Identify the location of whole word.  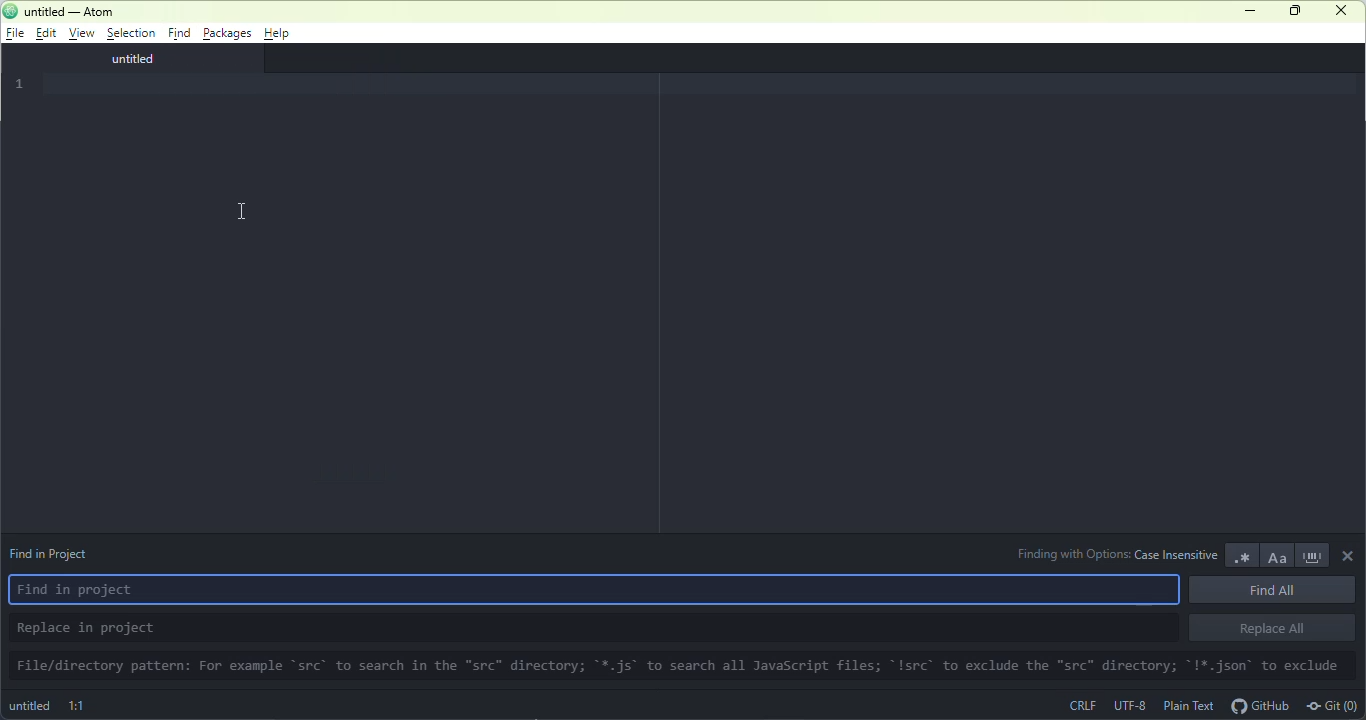
(1313, 555).